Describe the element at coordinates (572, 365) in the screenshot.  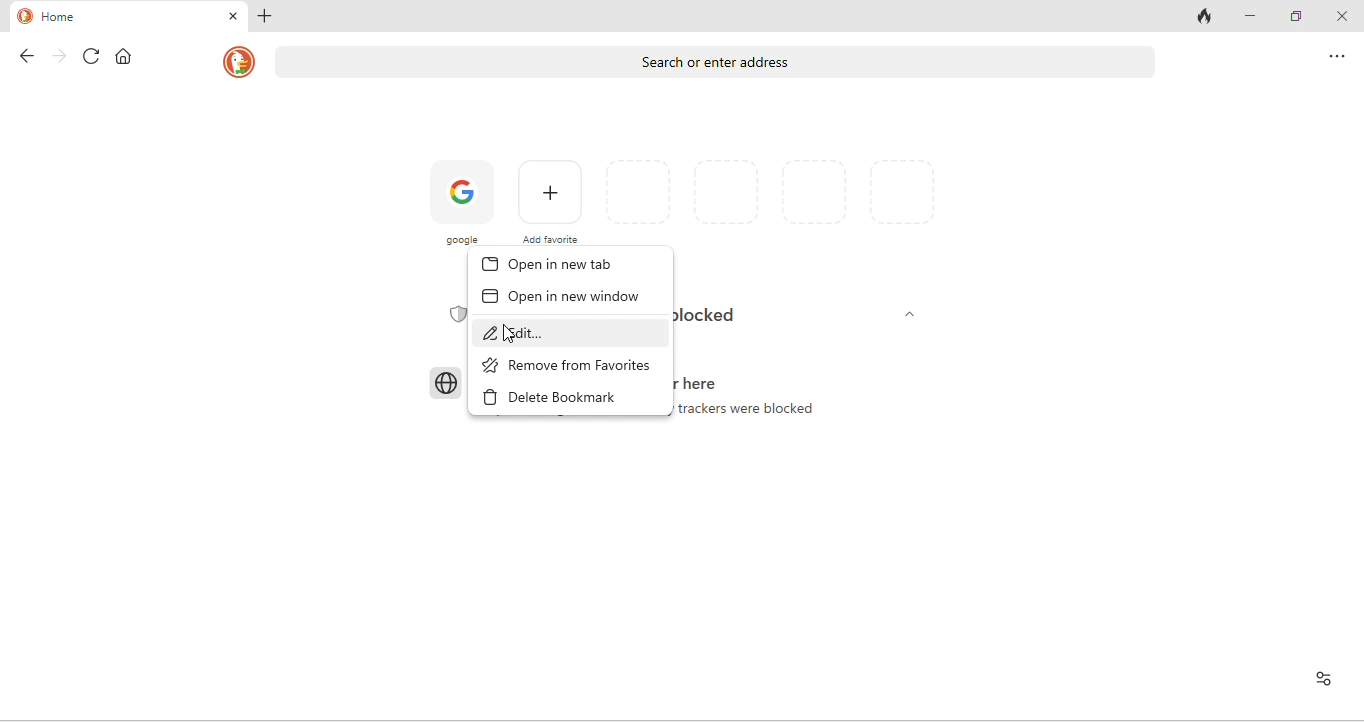
I see `remove from favorites` at that location.